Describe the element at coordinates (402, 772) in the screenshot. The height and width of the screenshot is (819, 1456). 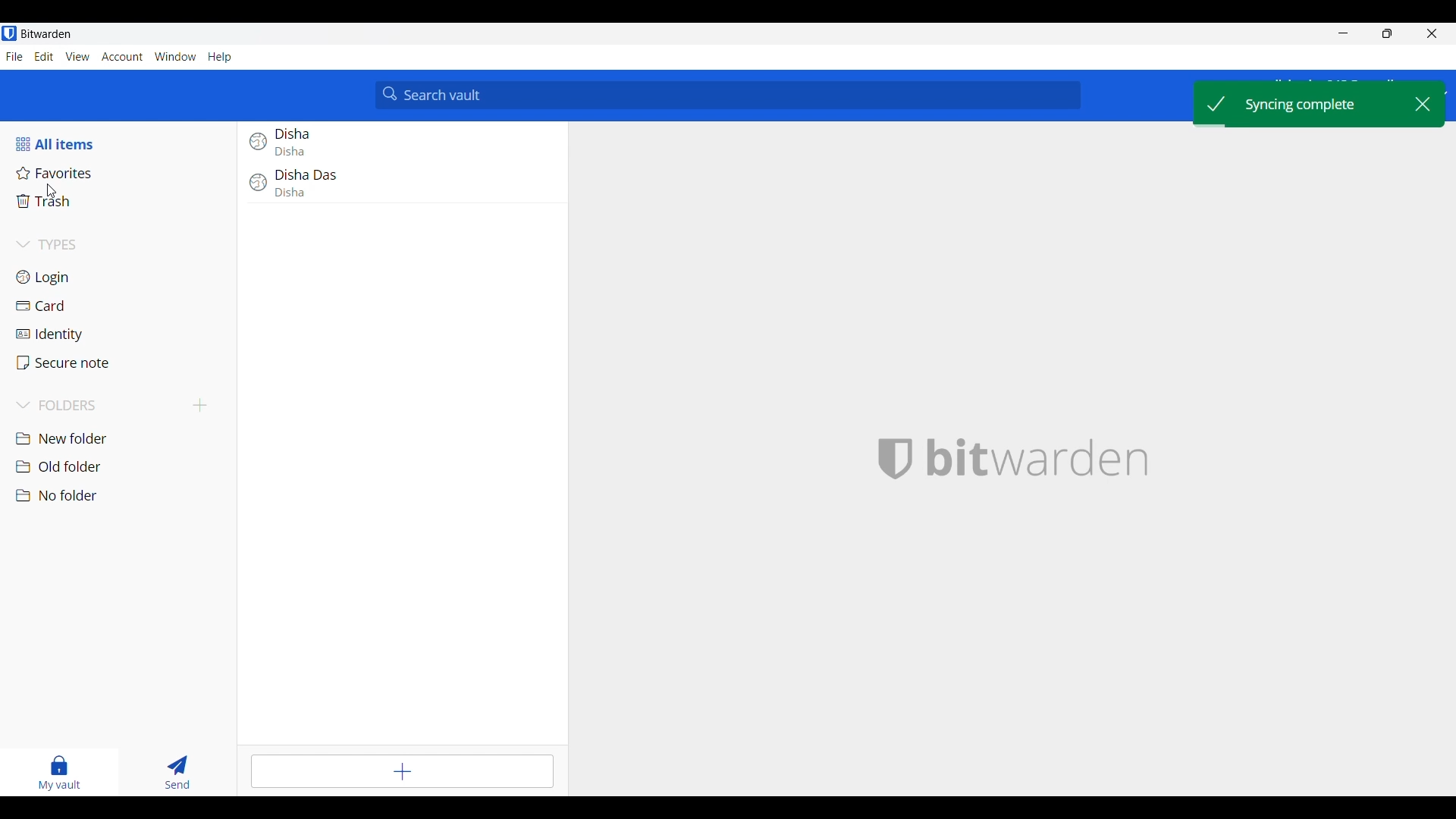
I see `Add item` at that location.